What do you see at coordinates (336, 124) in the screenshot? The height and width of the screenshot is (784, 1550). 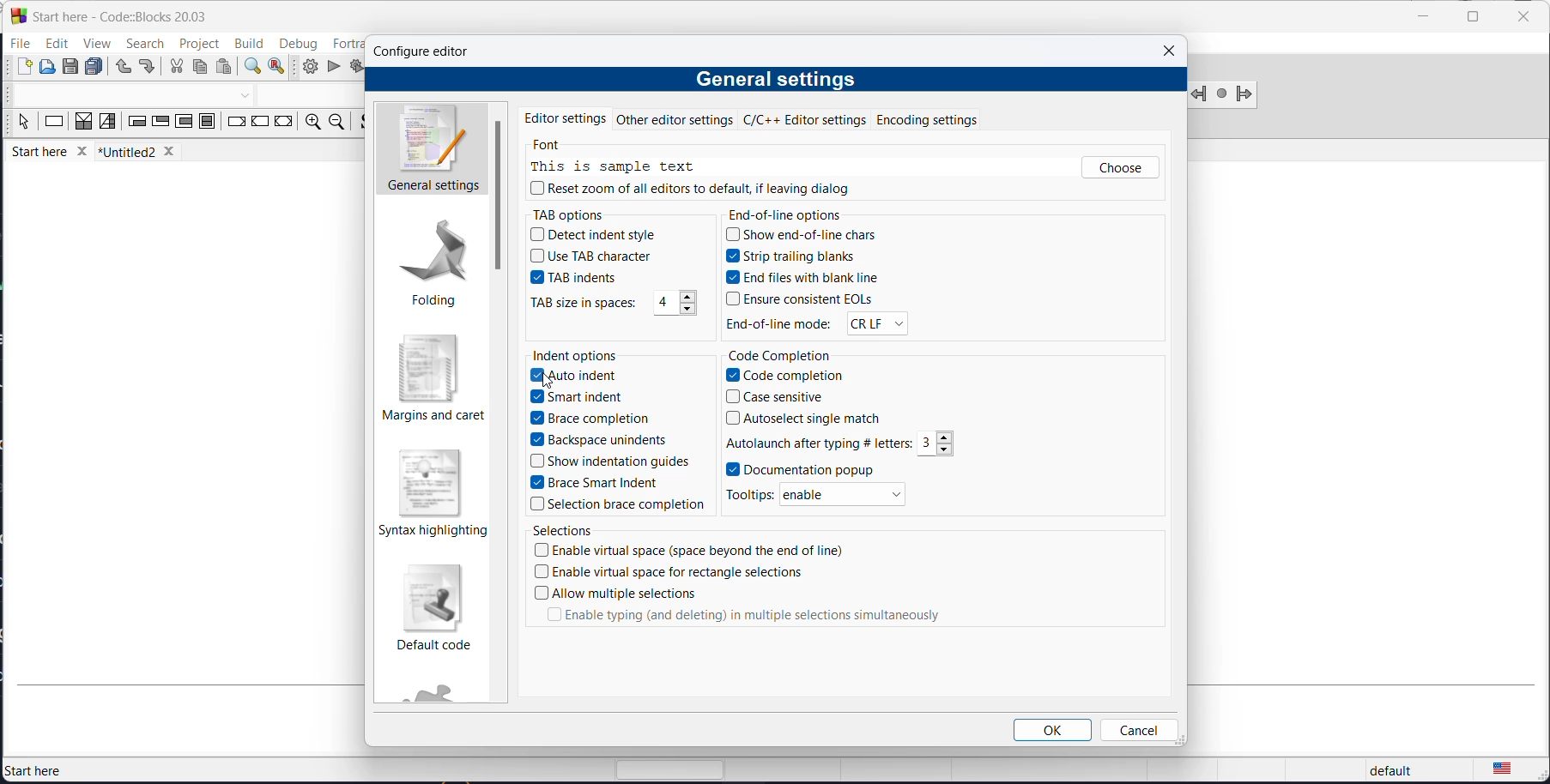 I see `zoom out` at bounding box center [336, 124].